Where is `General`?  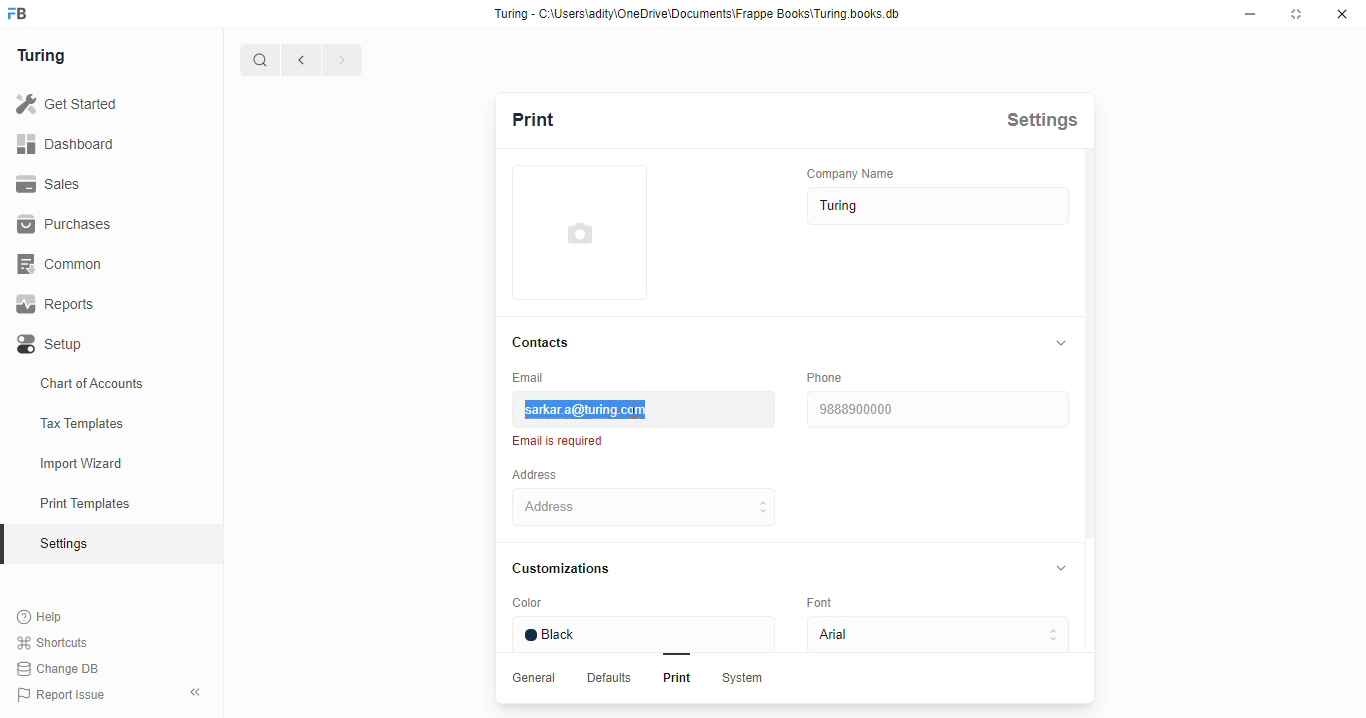
General is located at coordinates (537, 678).